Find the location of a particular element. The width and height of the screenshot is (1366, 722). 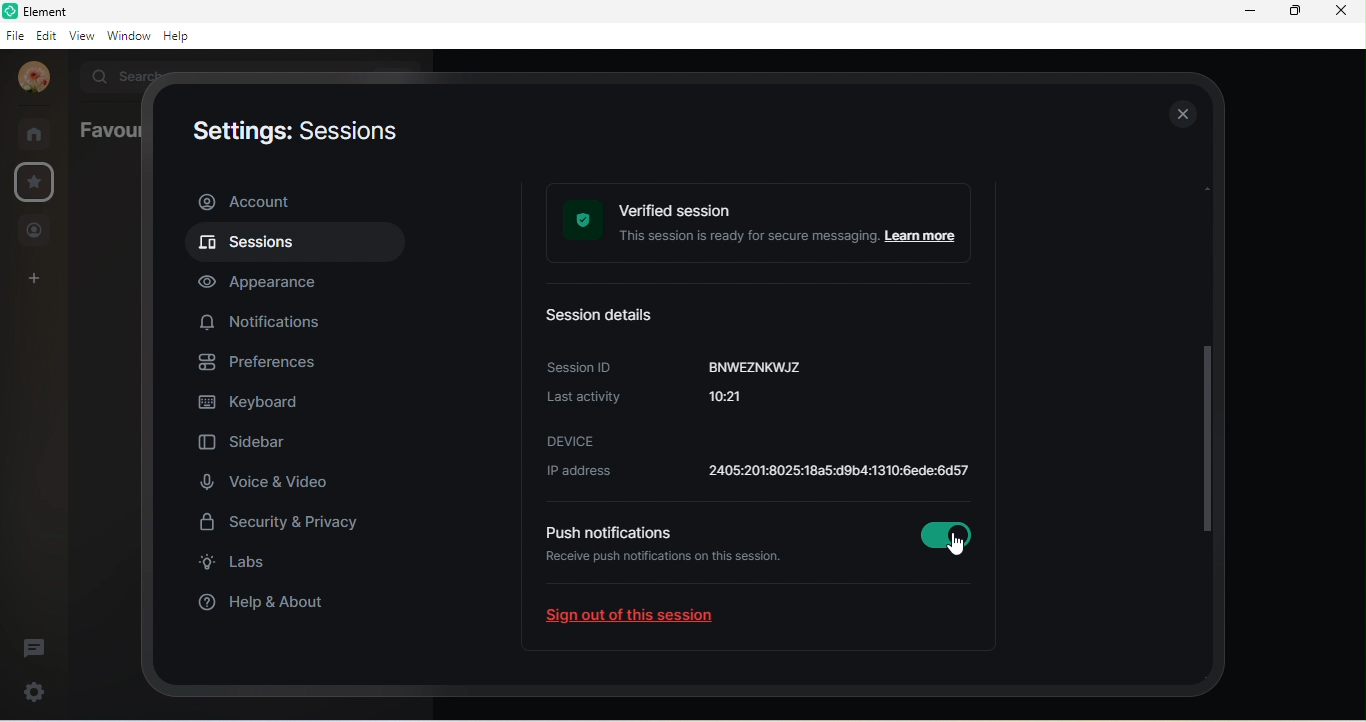

window is located at coordinates (128, 35).